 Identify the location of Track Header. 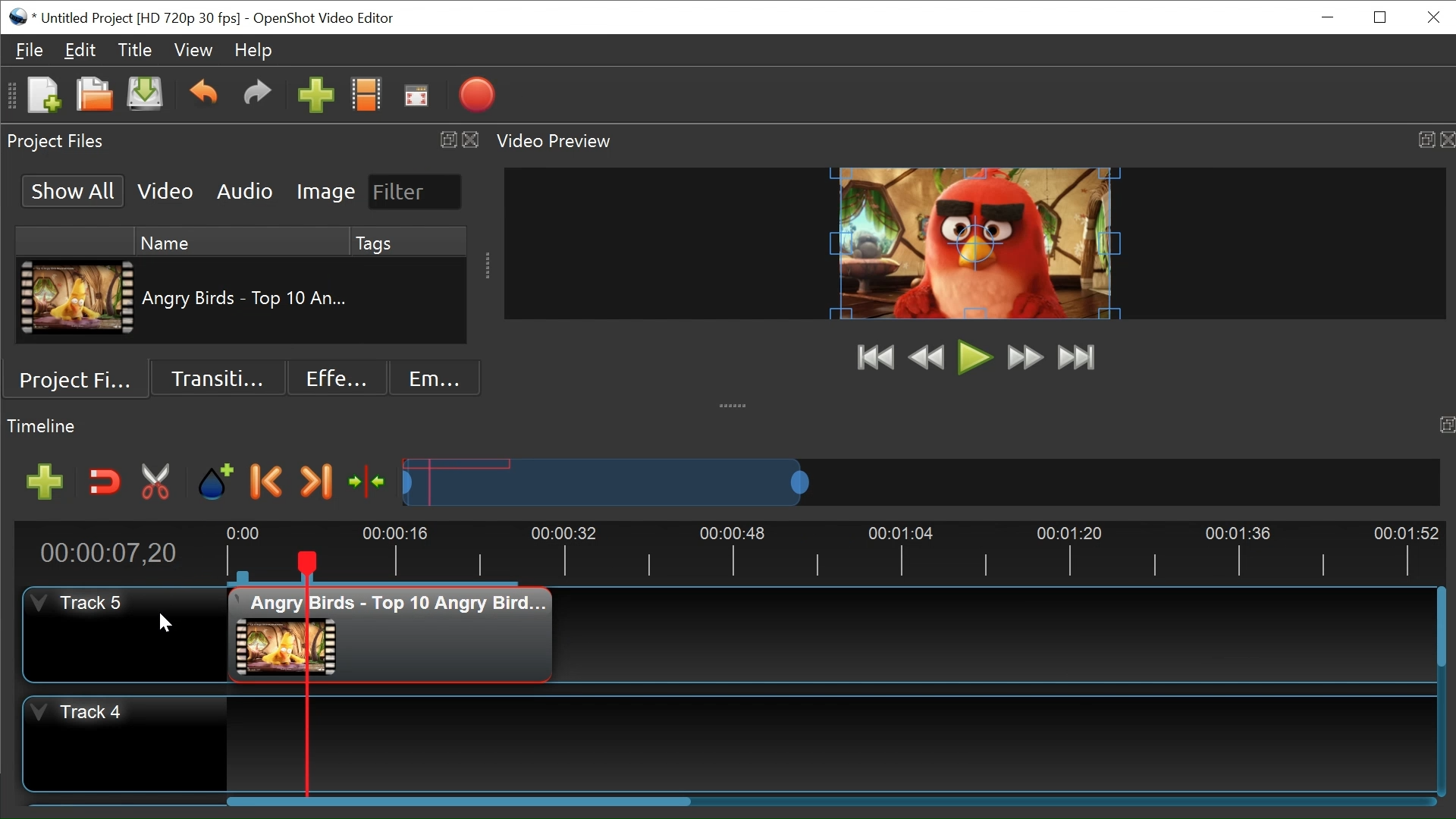
(122, 632).